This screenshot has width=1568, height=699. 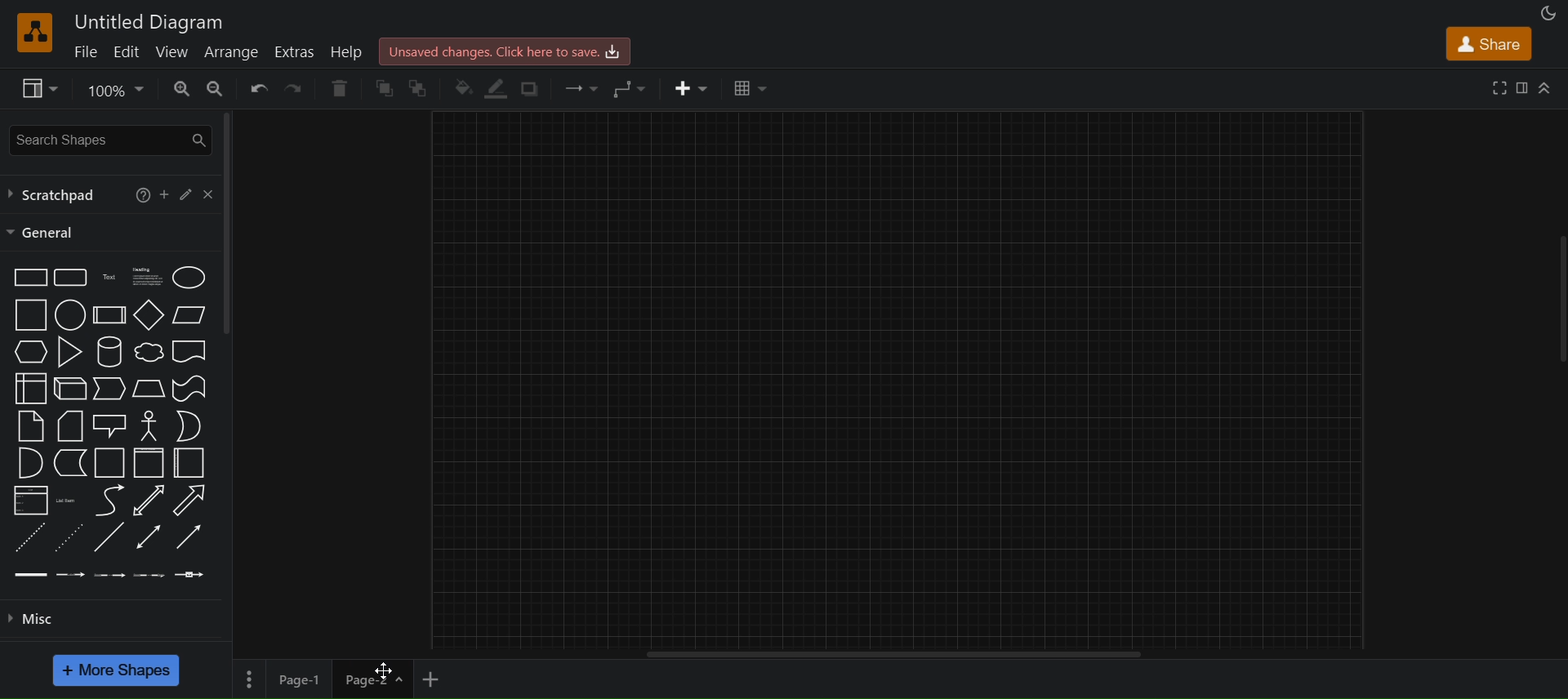 I want to click on text, so click(x=110, y=277).